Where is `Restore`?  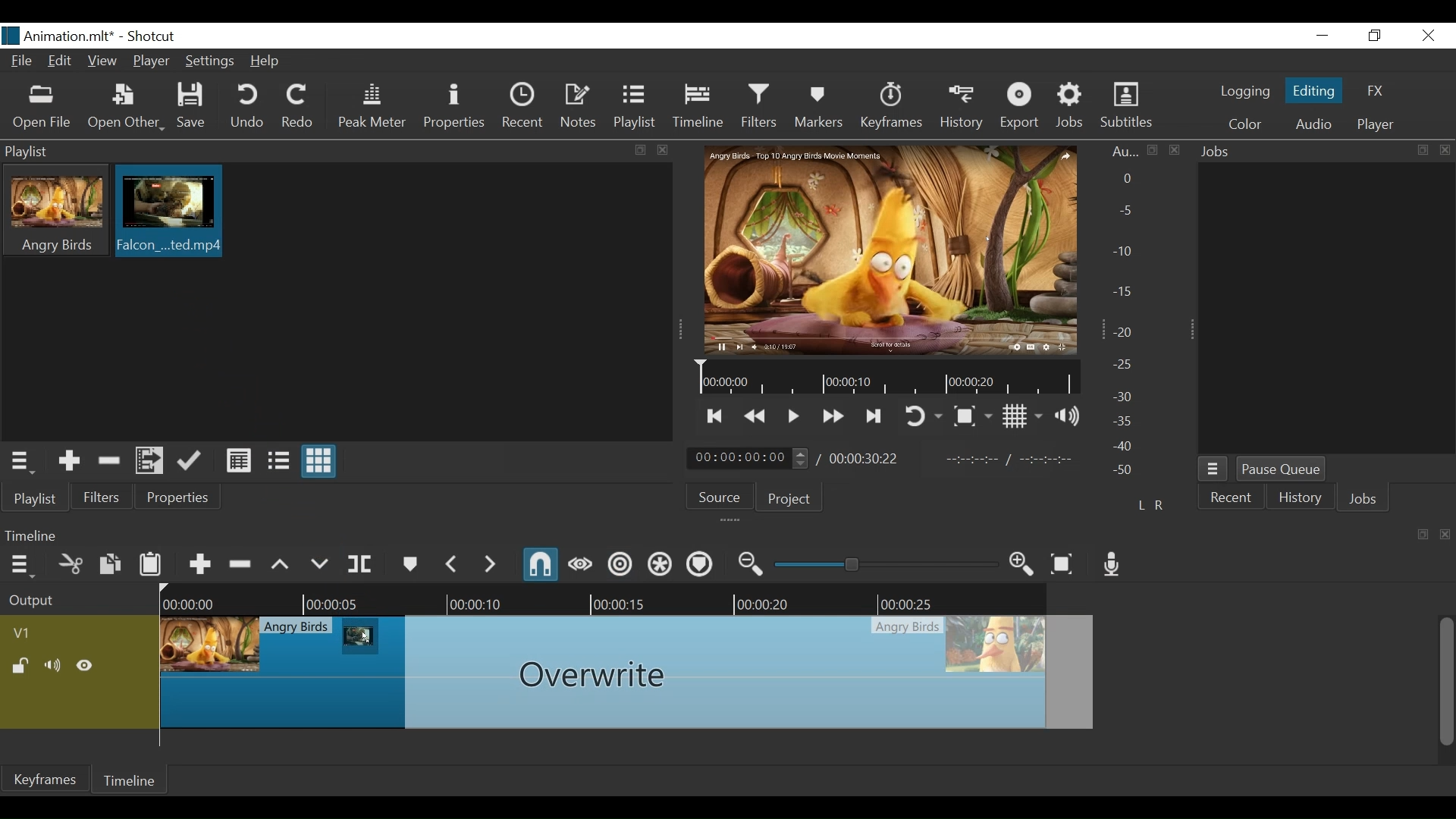 Restore is located at coordinates (1375, 36).